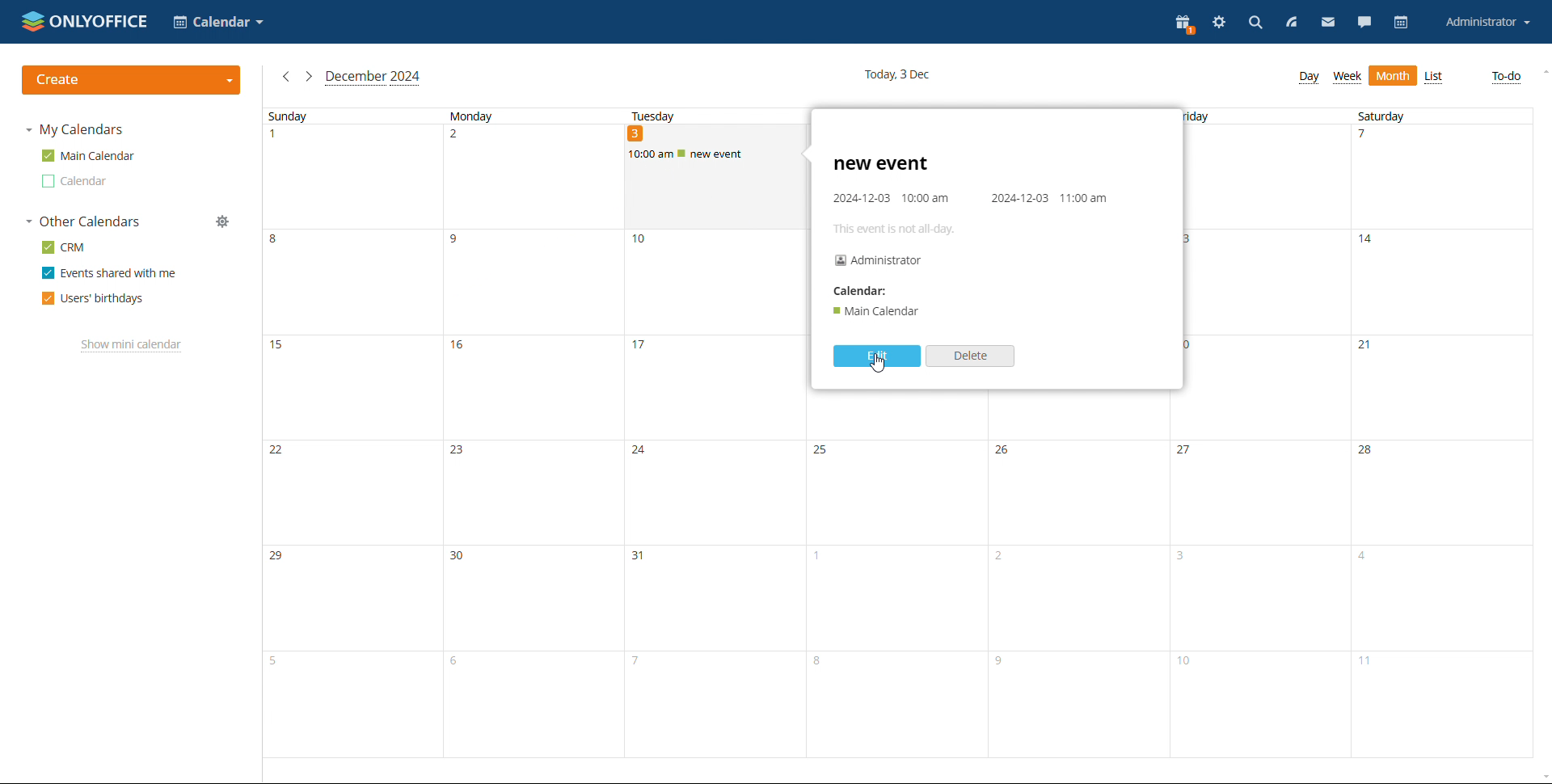 The image size is (1552, 784). I want to click on settings, so click(1220, 22).